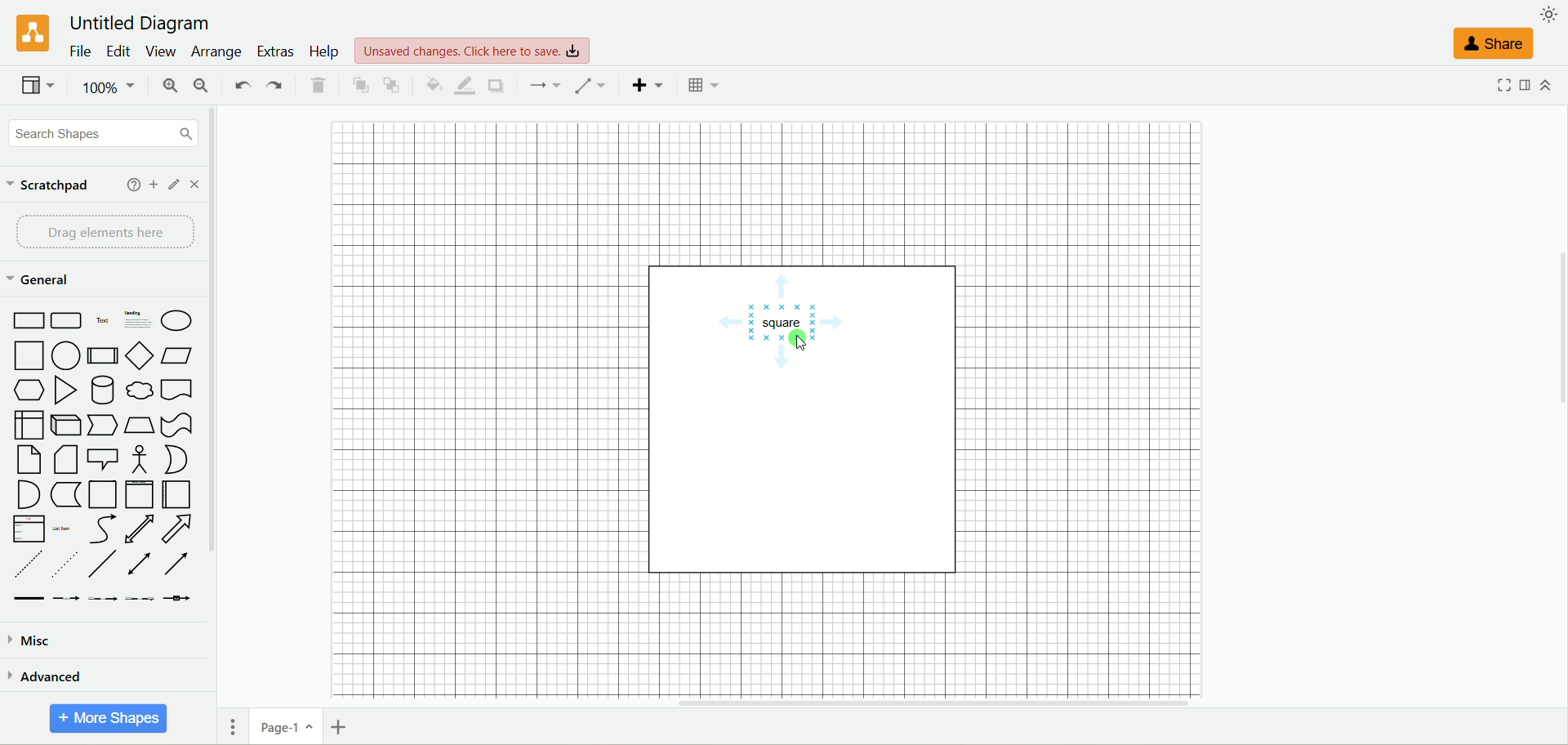 The width and height of the screenshot is (1568, 745). I want to click on canvas, so click(734, 405).